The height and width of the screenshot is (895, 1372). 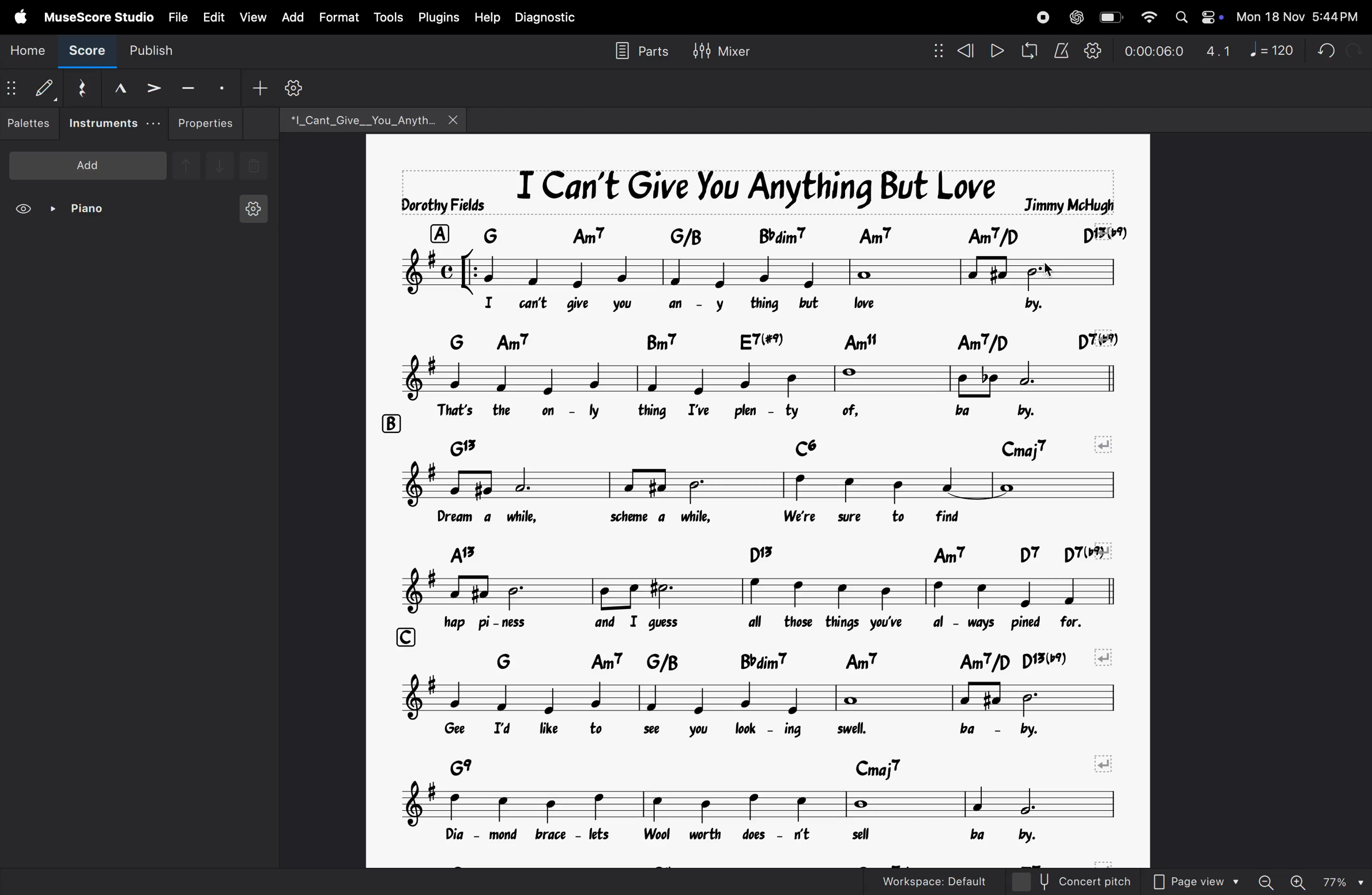 I want to click on reset, so click(x=85, y=88).